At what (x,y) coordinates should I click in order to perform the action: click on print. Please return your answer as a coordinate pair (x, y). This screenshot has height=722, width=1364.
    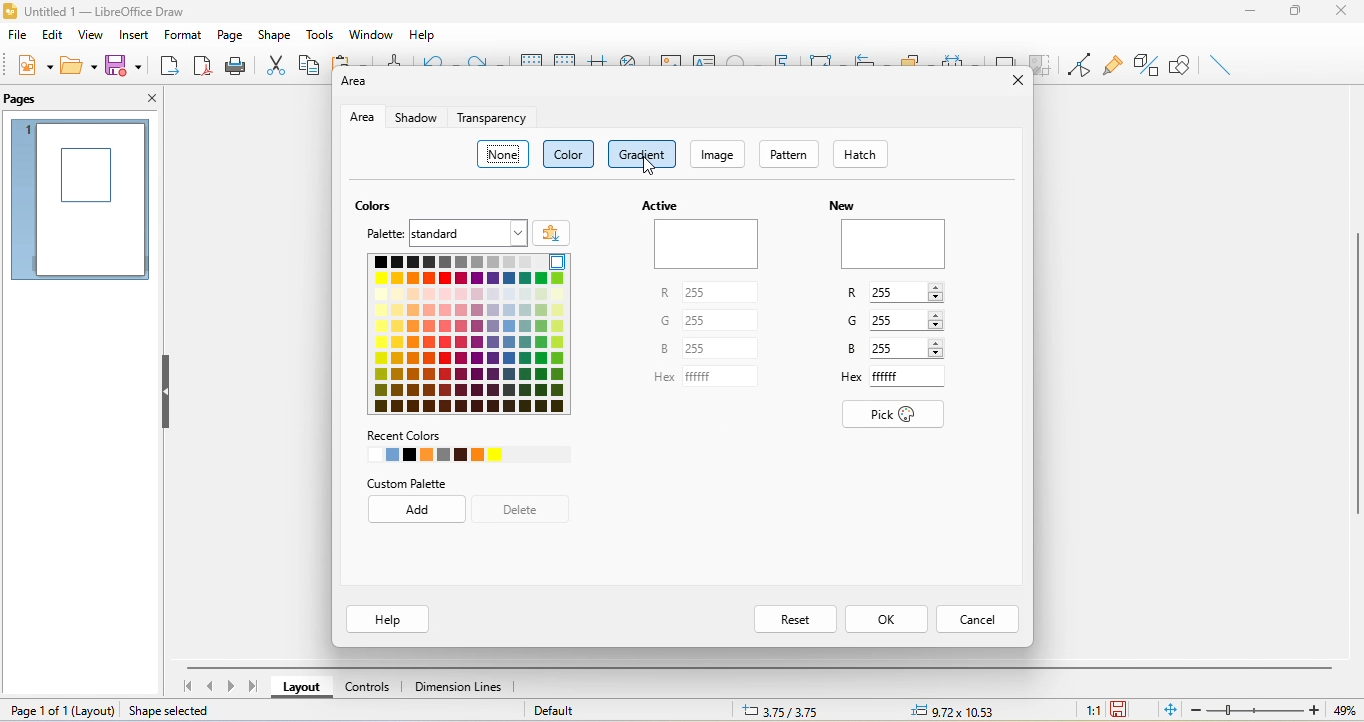
    Looking at the image, I should click on (236, 68).